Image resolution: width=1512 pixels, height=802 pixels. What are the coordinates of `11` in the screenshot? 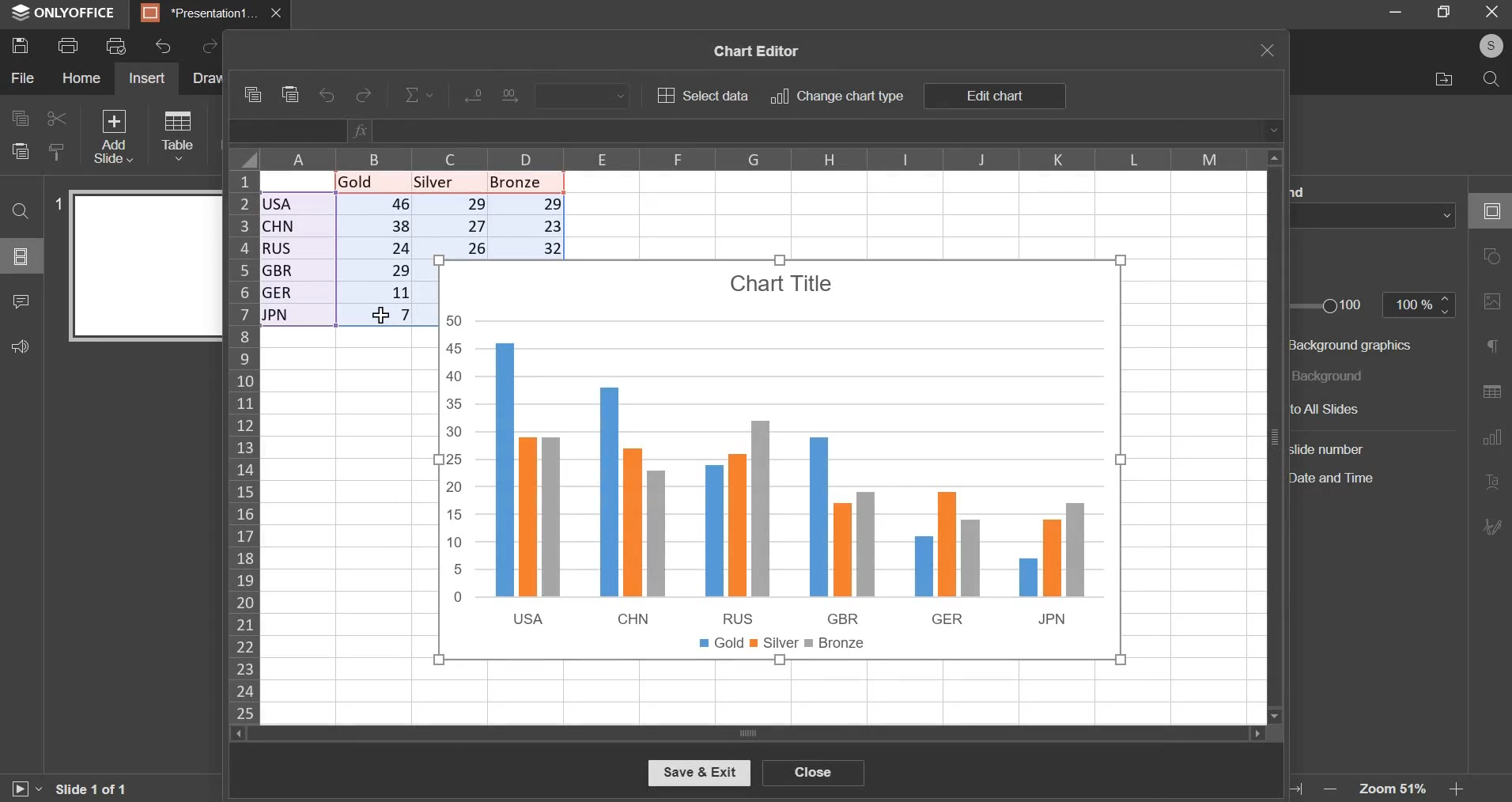 It's located at (376, 294).